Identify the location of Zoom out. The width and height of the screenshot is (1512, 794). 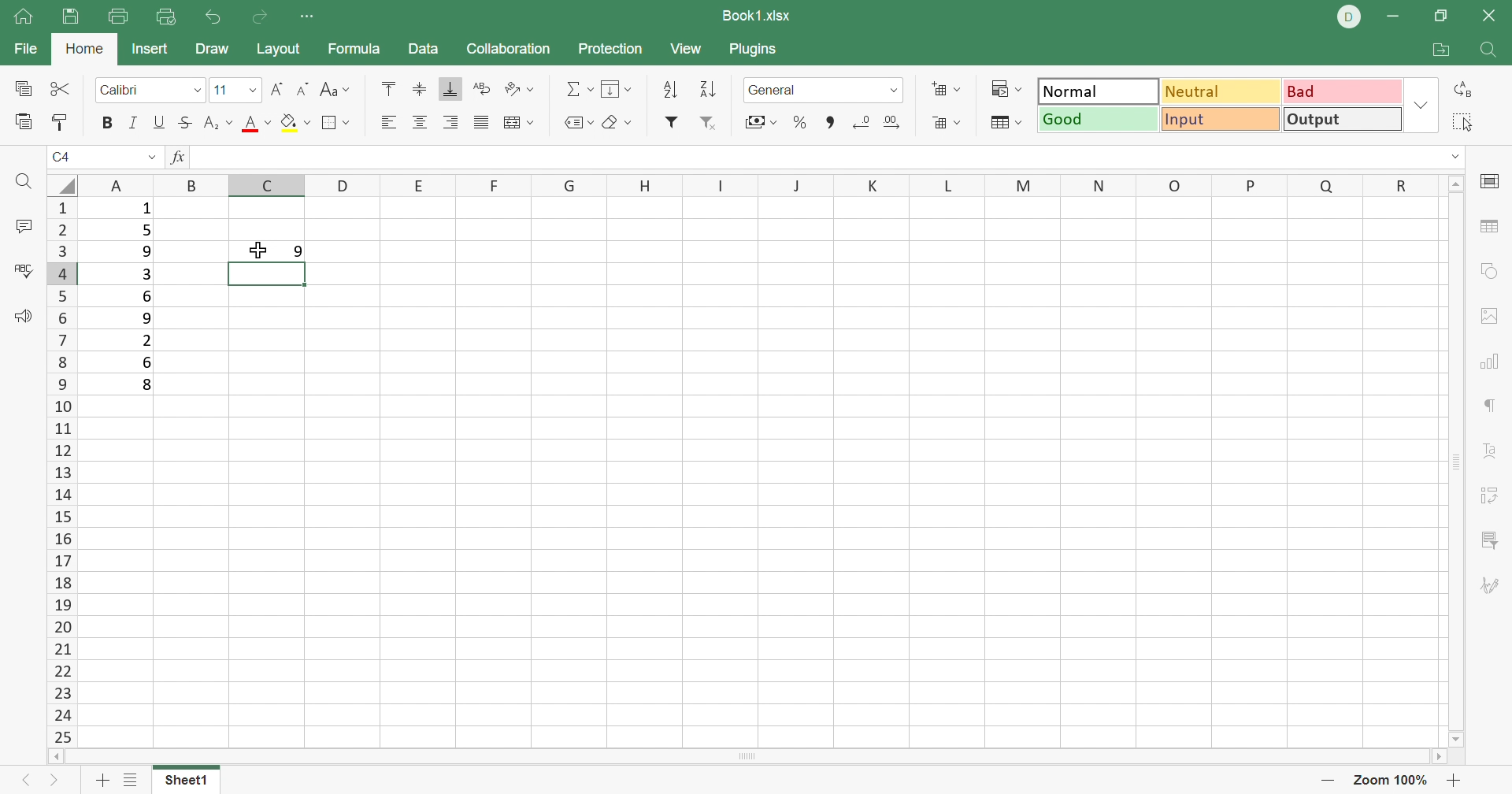
(1324, 783).